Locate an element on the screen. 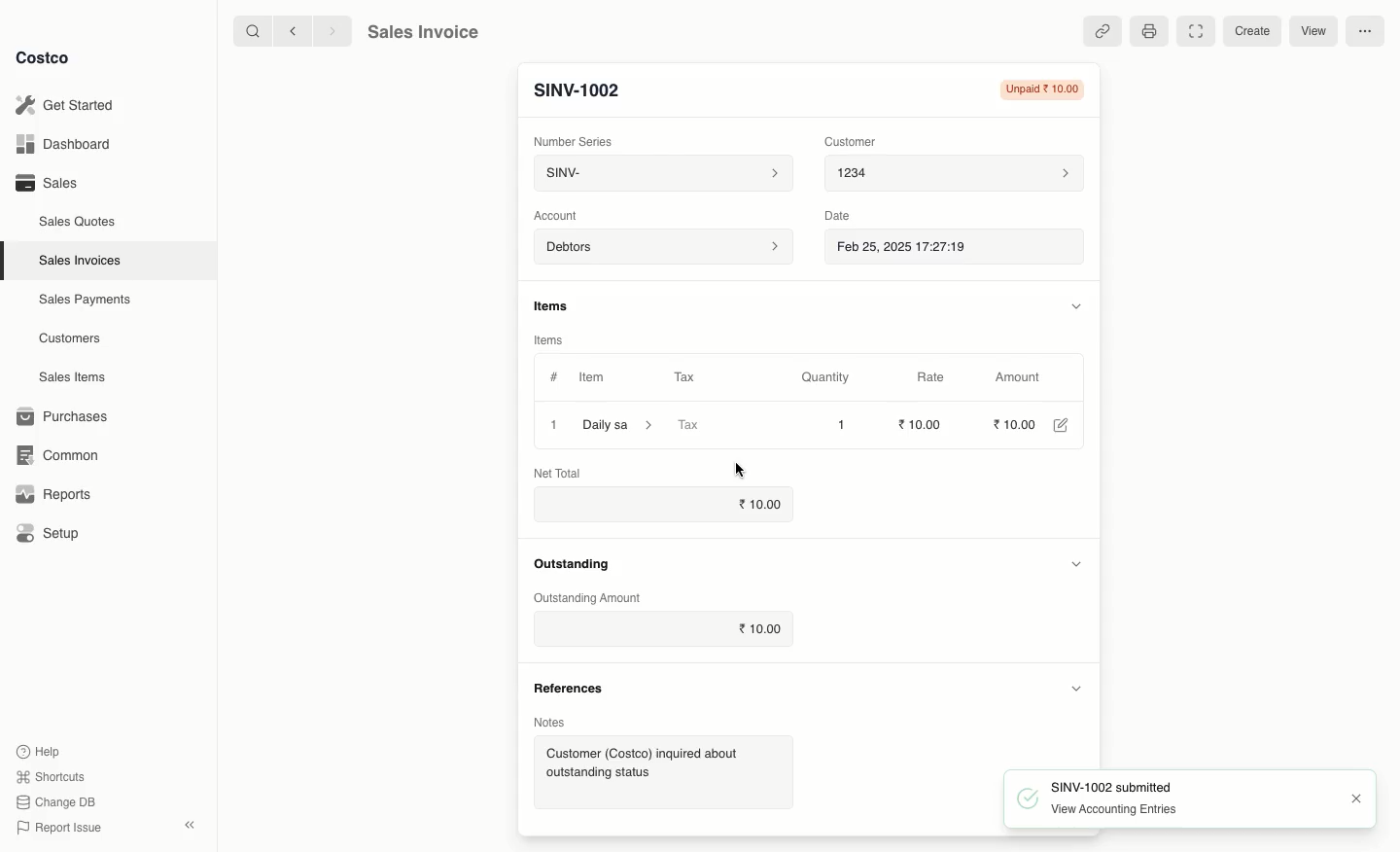 The width and height of the screenshot is (1400, 852). Get Started is located at coordinates (72, 104).